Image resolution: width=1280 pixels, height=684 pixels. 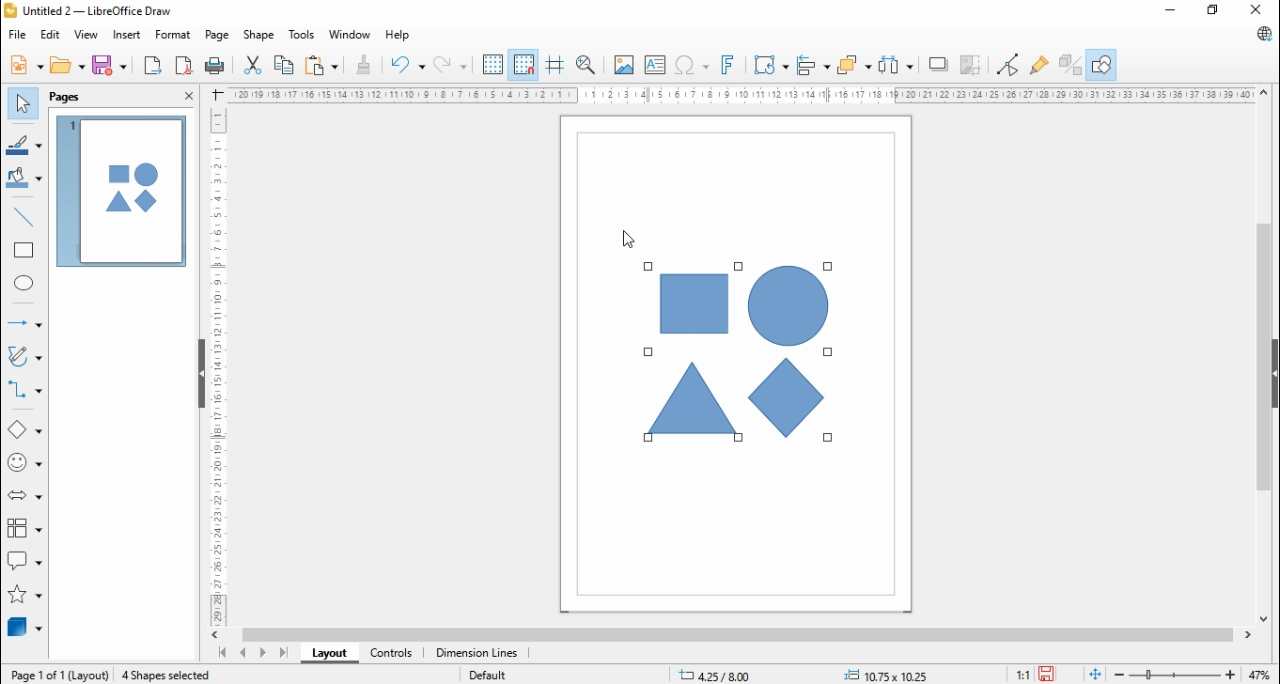 I want to click on last page, so click(x=283, y=653).